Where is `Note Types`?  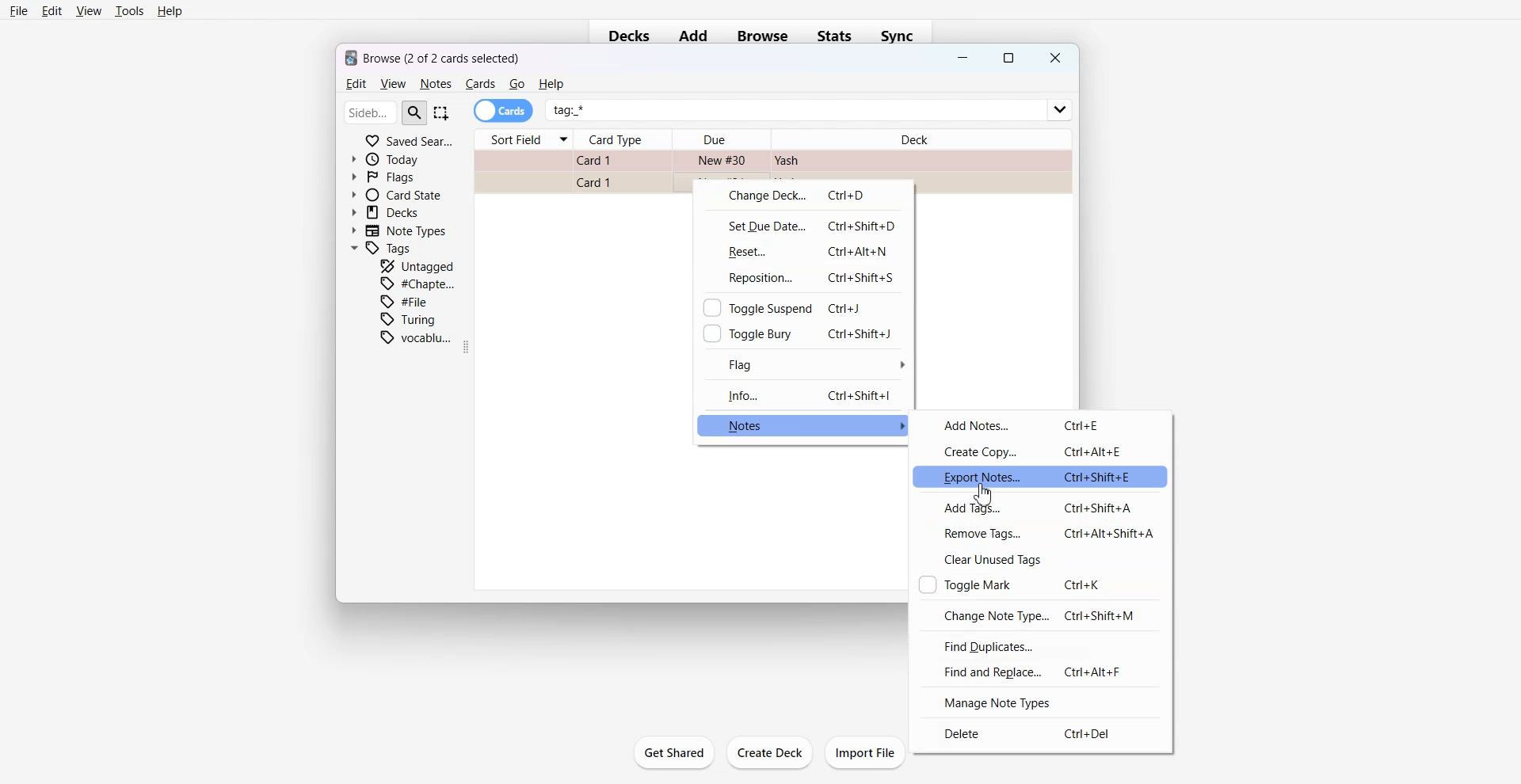
Note Types is located at coordinates (400, 230).